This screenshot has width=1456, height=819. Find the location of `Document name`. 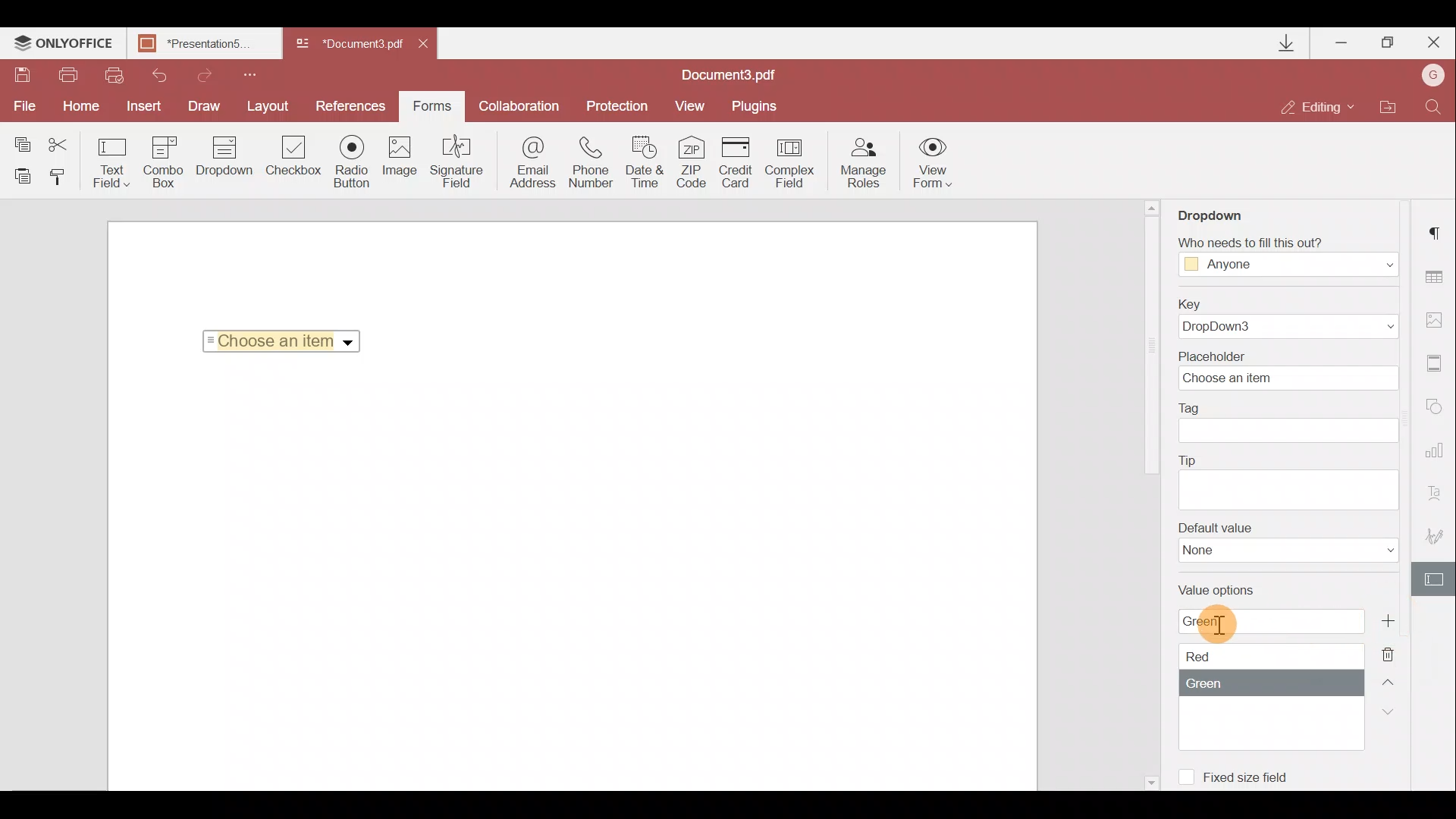

Document name is located at coordinates (209, 45).